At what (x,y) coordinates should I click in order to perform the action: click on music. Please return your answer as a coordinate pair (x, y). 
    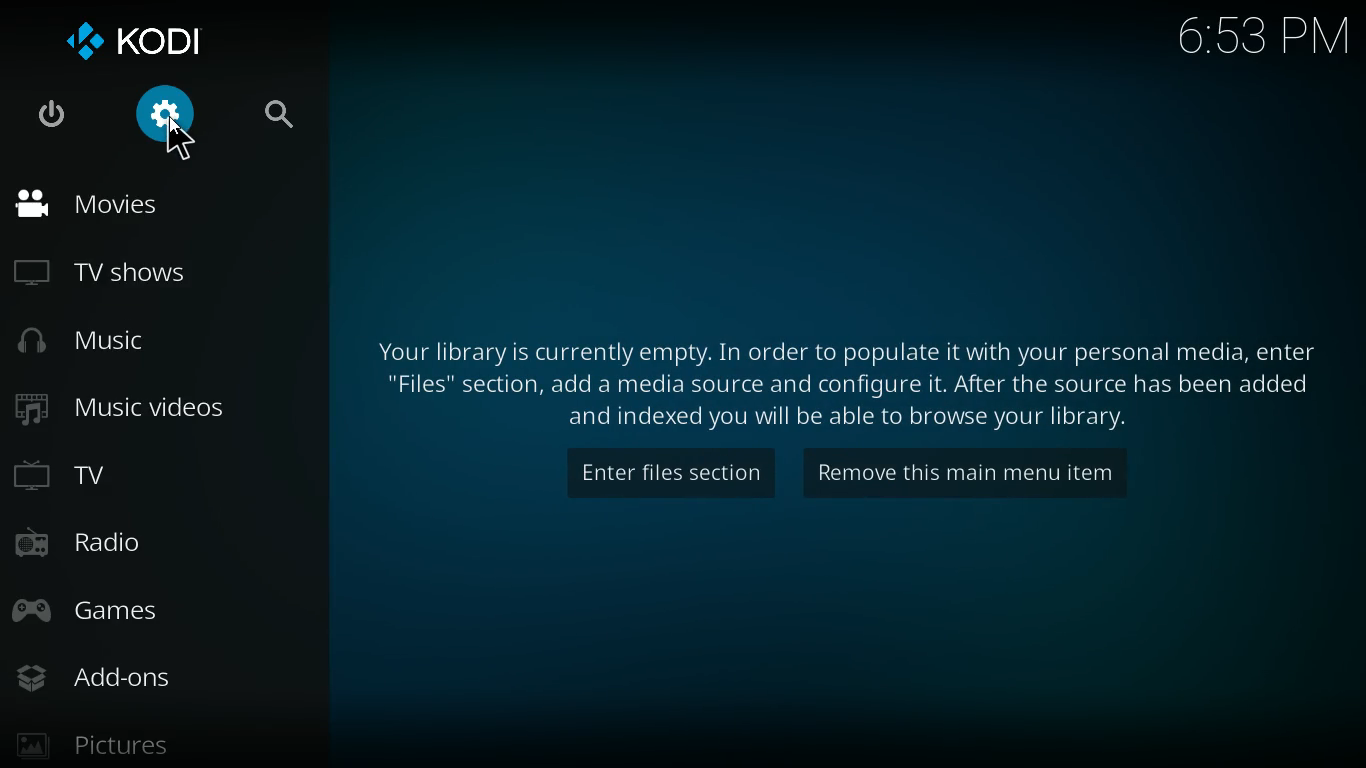
    Looking at the image, I should click on (114, 346).